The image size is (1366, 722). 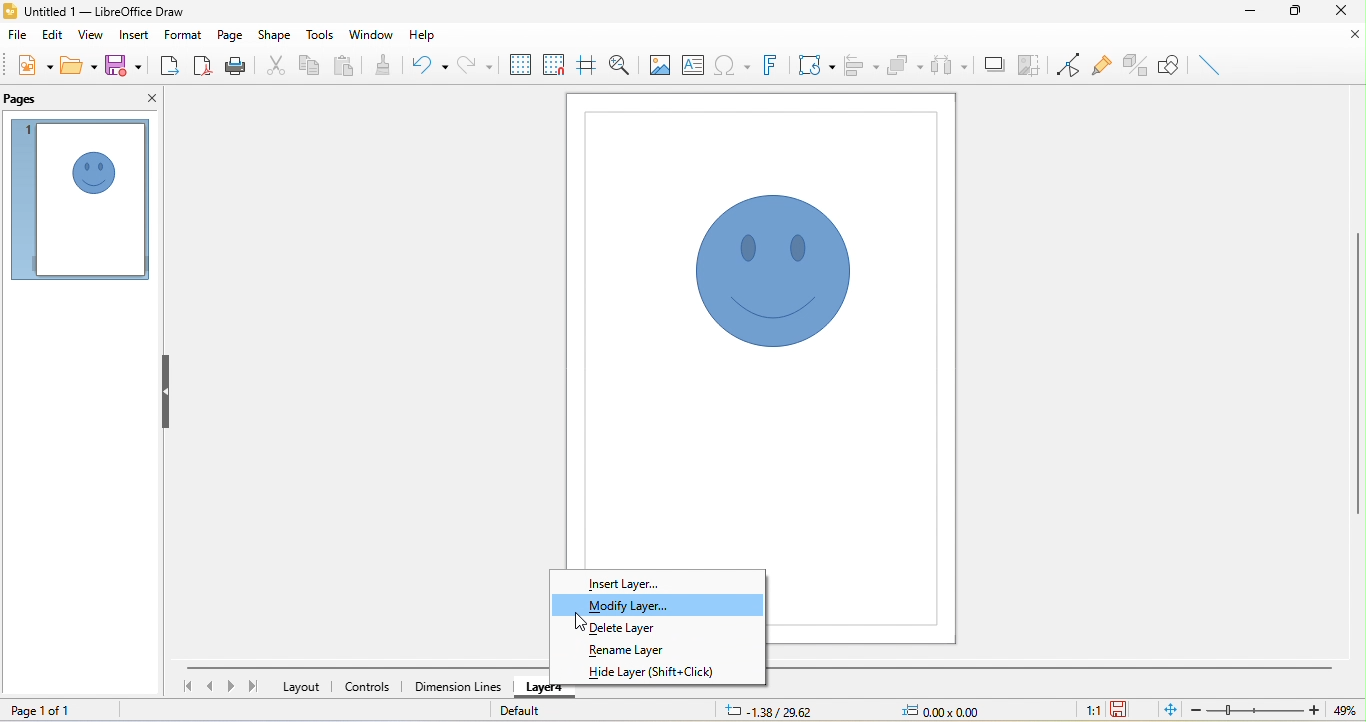 What do you see at coordinates (1030, 63) in the screenshot?
I see `crop image` at bounding box center [1030, 63].